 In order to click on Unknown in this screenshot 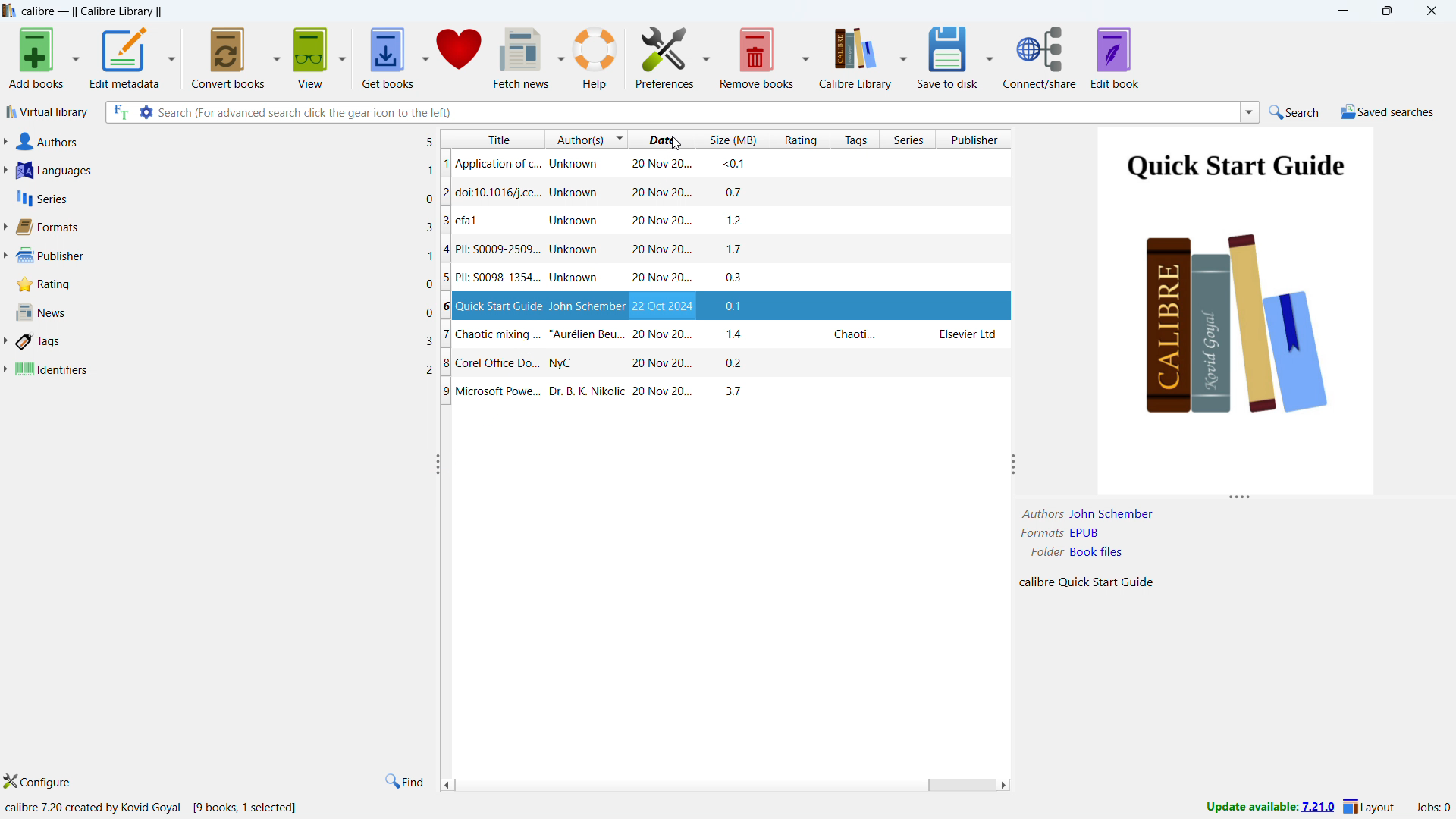, I will do `click(576, 251)`.